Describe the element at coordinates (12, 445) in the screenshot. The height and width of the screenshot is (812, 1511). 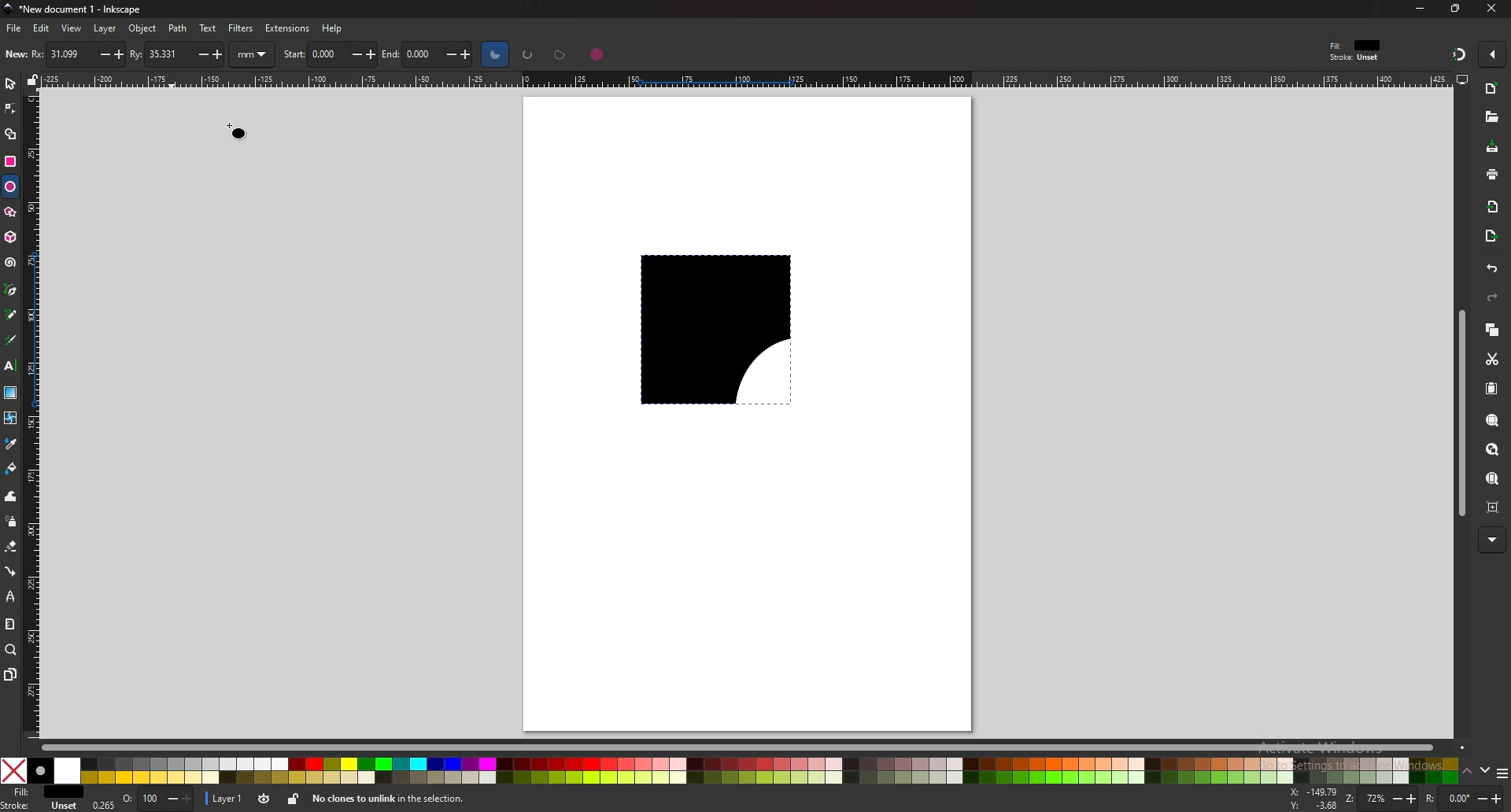
I see `dropper` at that location.